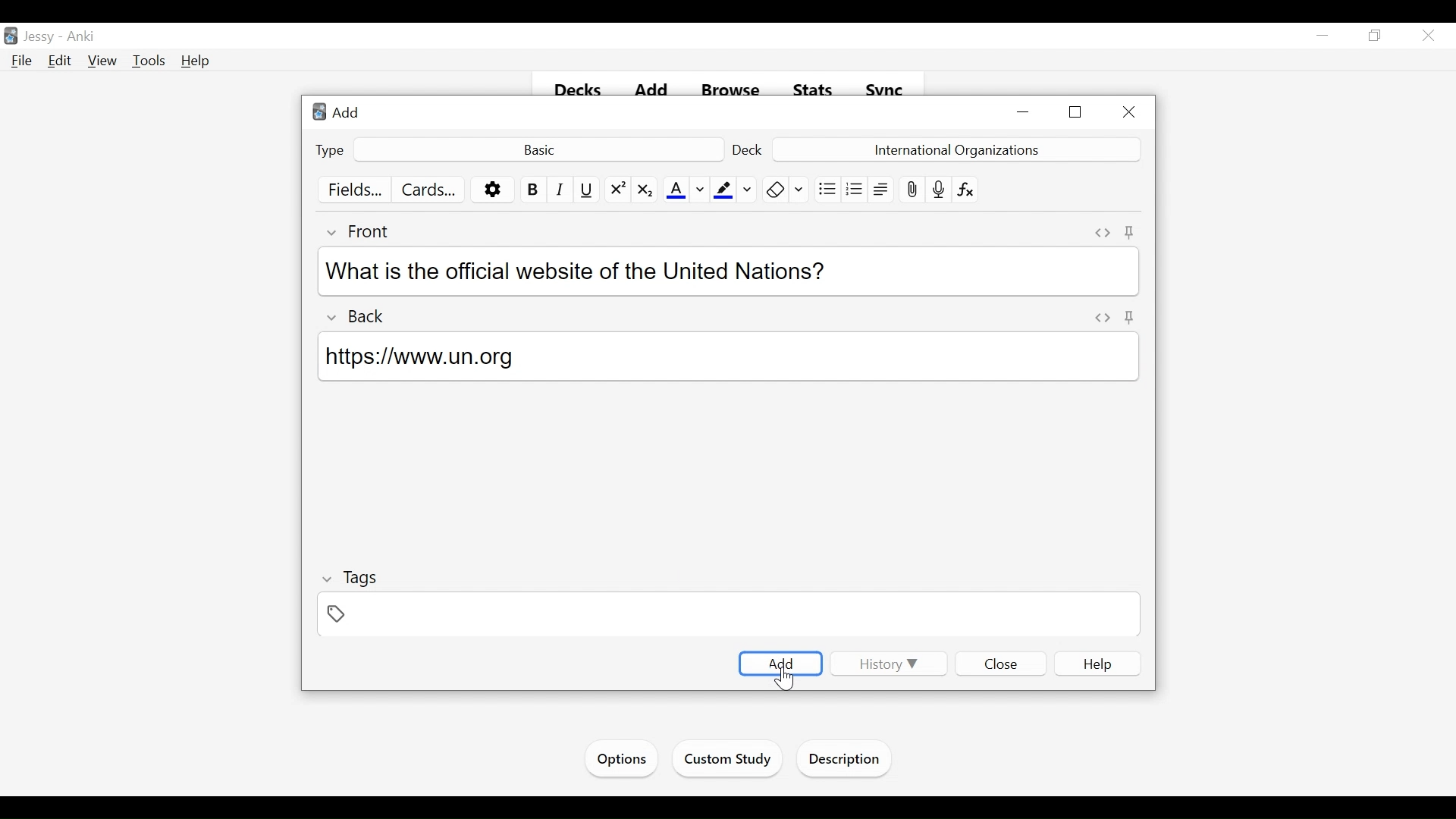  What do you see at coordinates (1131, 318) in the screenshot?
I see `Pin` at bounding box center [1131, 318].